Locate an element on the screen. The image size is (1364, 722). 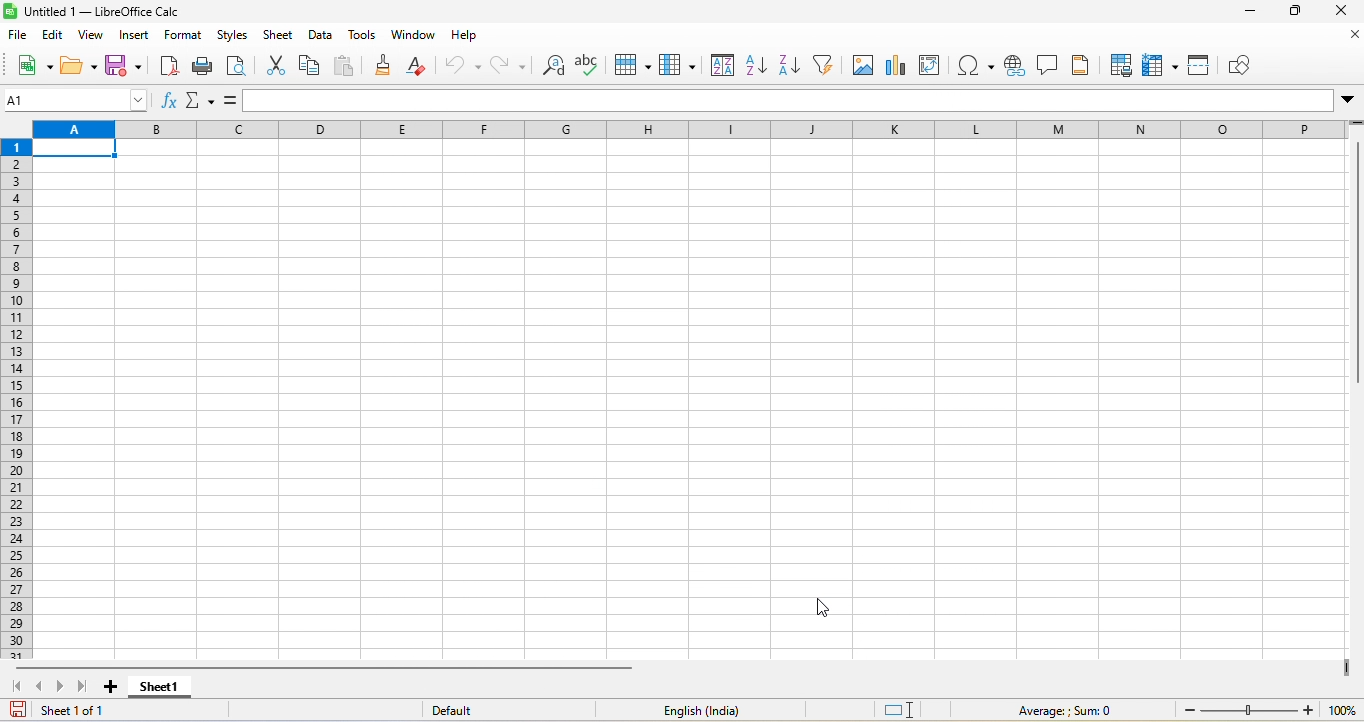
horizontal scroll bar is located at coordinates (324, 667).